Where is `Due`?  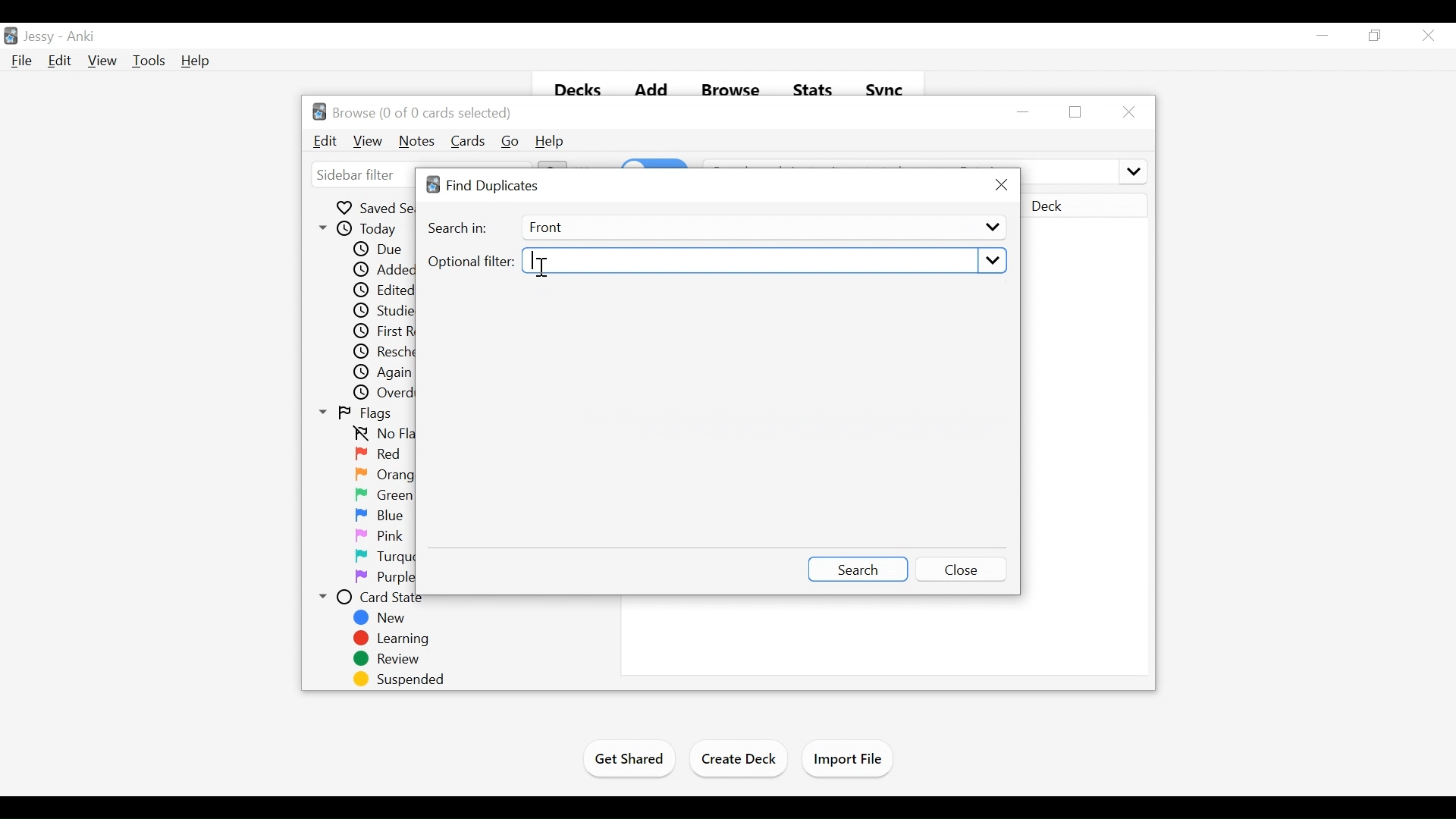
Due is located at coordinates (376, 249).